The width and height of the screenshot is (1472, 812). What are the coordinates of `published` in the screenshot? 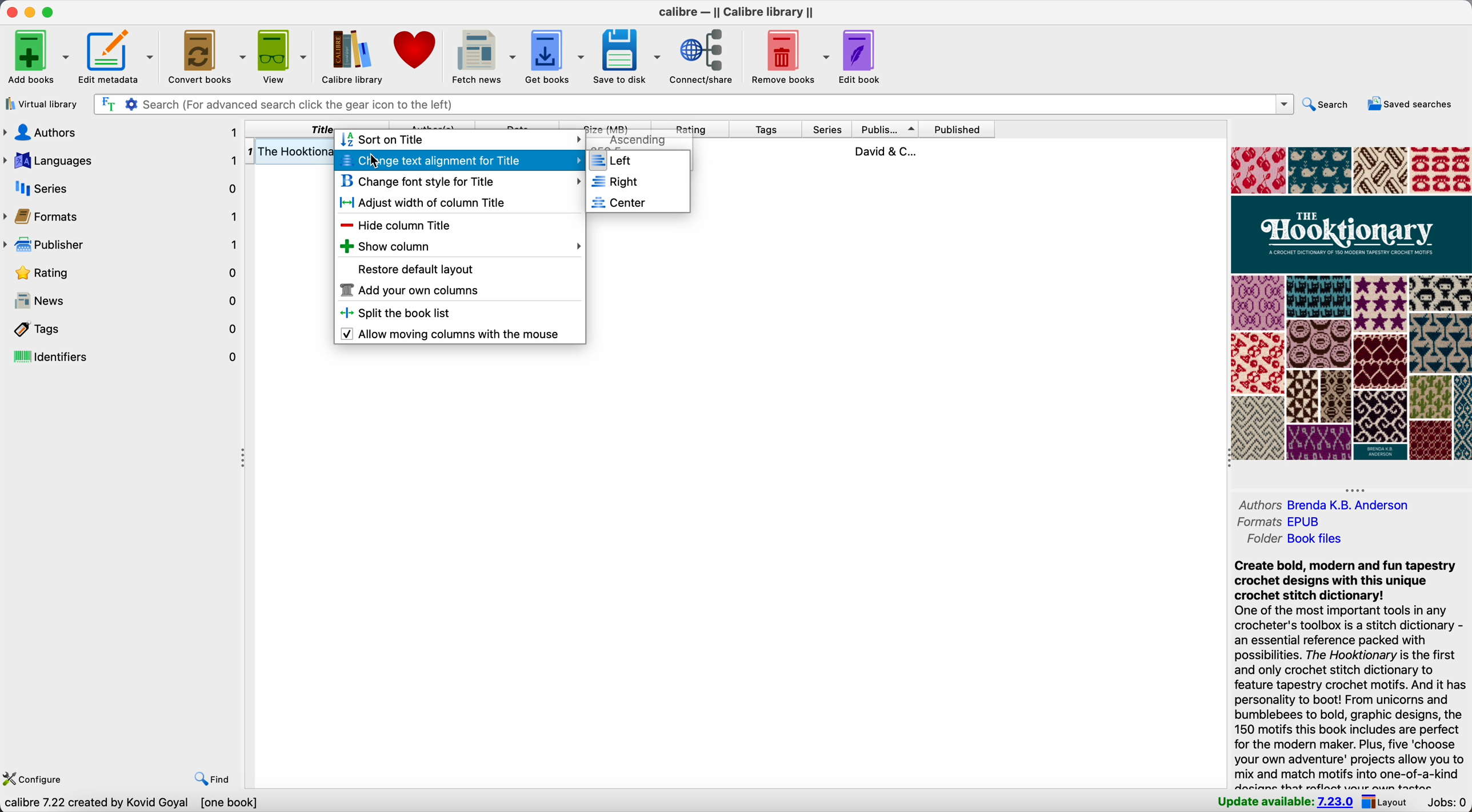 It's located at (957, 129).